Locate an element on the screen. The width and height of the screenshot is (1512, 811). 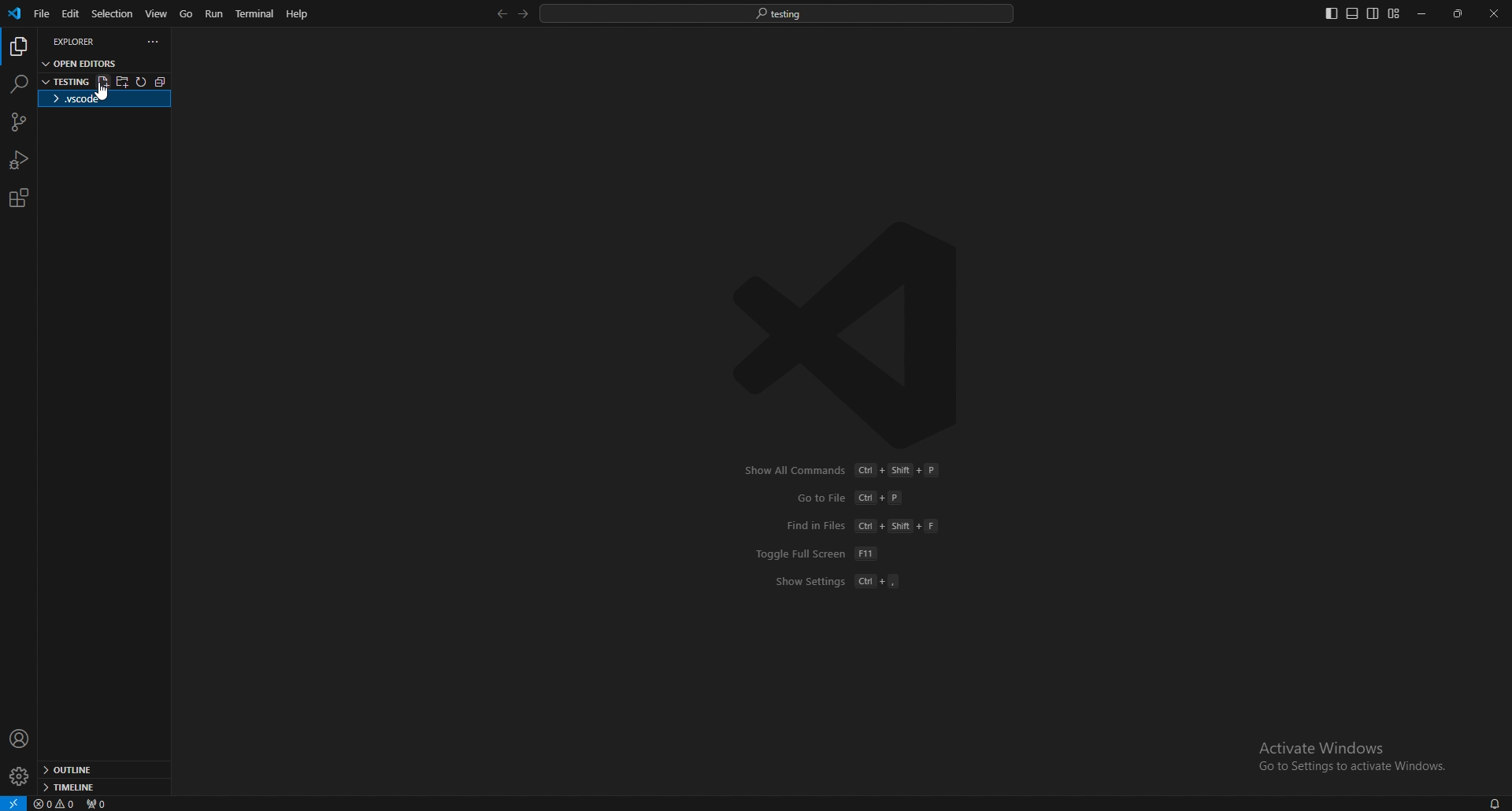
cursor is located at coordinates (102, 92).